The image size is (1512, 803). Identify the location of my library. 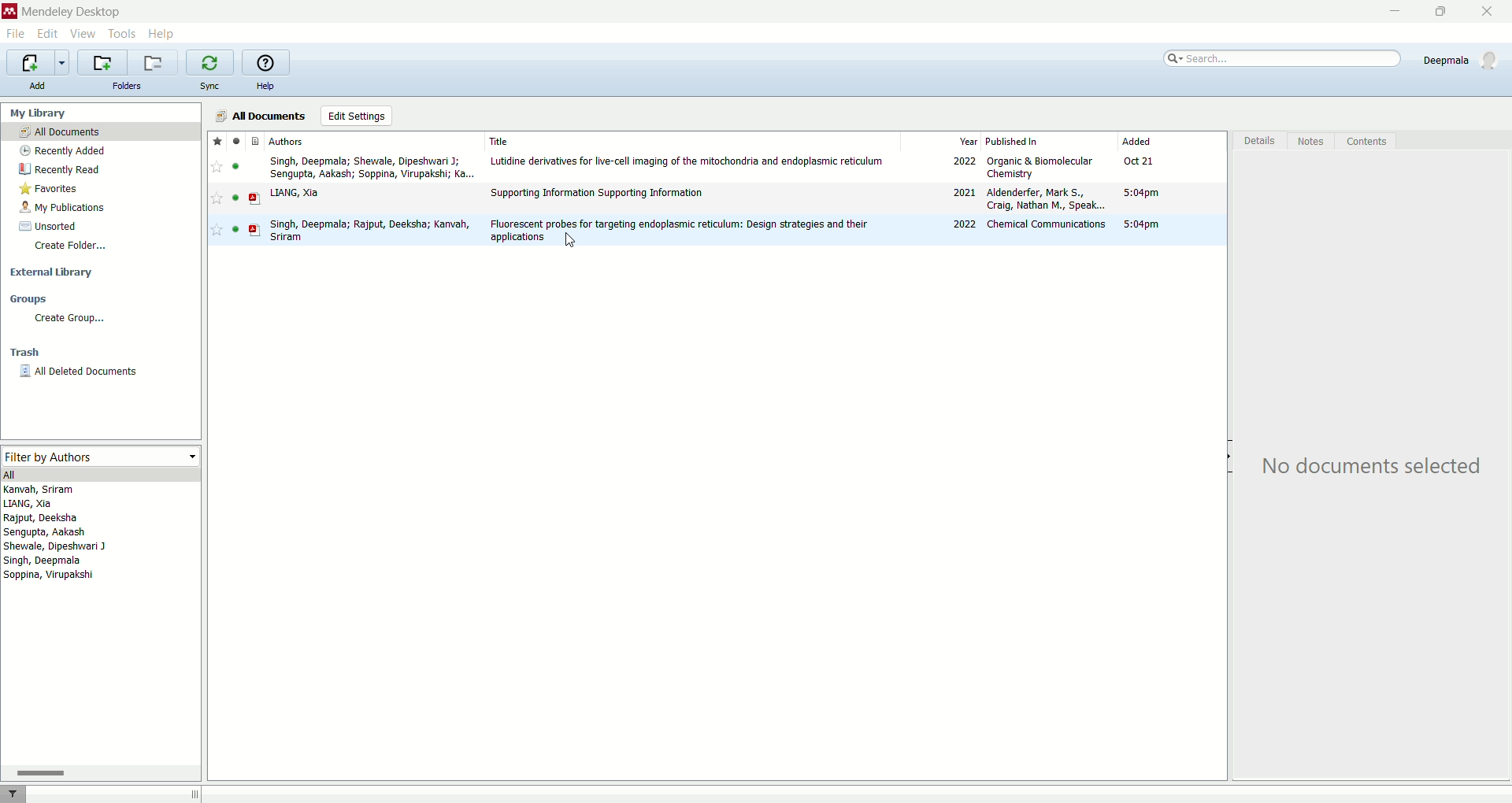
(40, 113).